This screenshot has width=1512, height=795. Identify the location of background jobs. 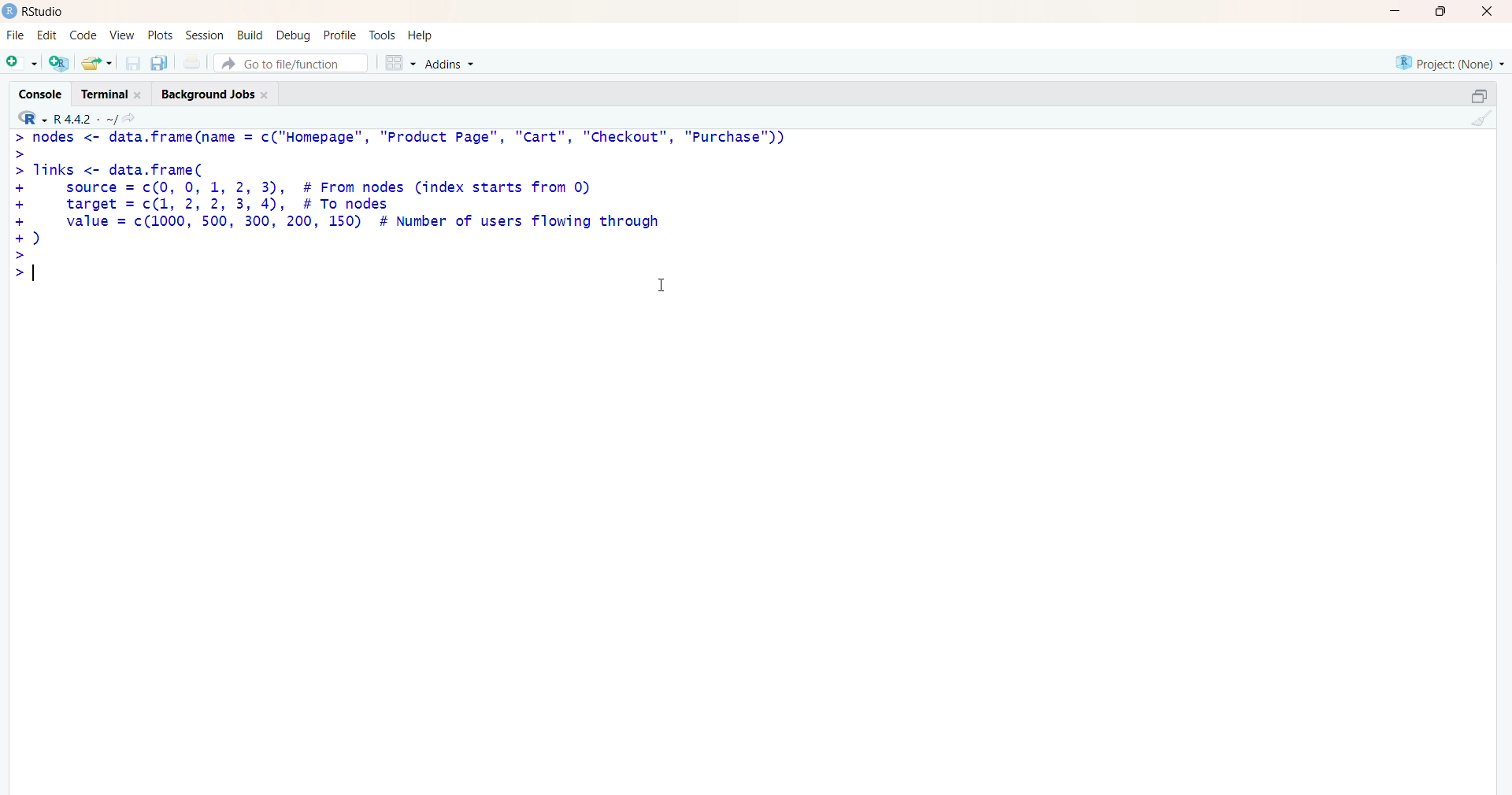
(219, 96).